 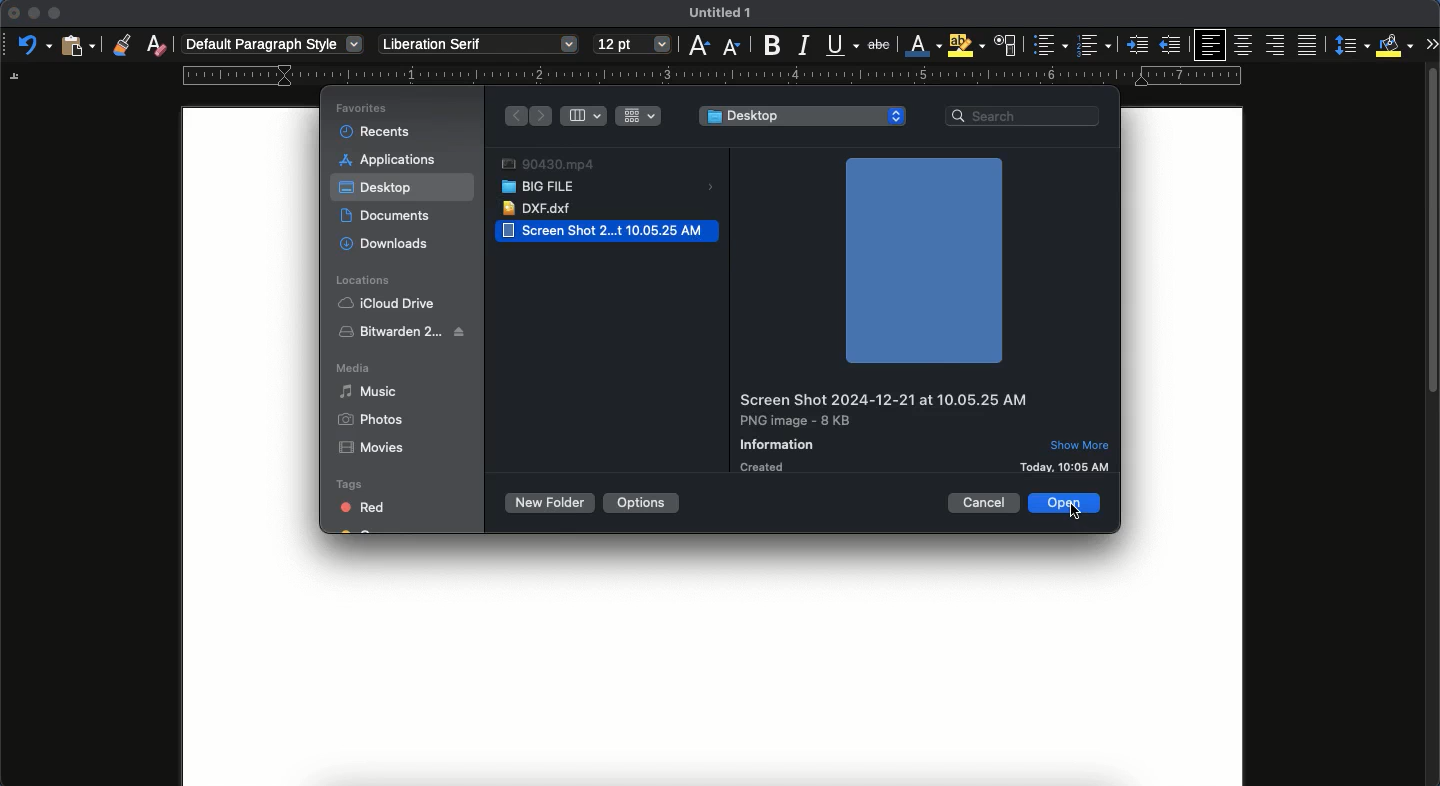 What do you see at coordinates (357, 507) in the screenshot?
I see `Red` at bounding box center [357, 507].